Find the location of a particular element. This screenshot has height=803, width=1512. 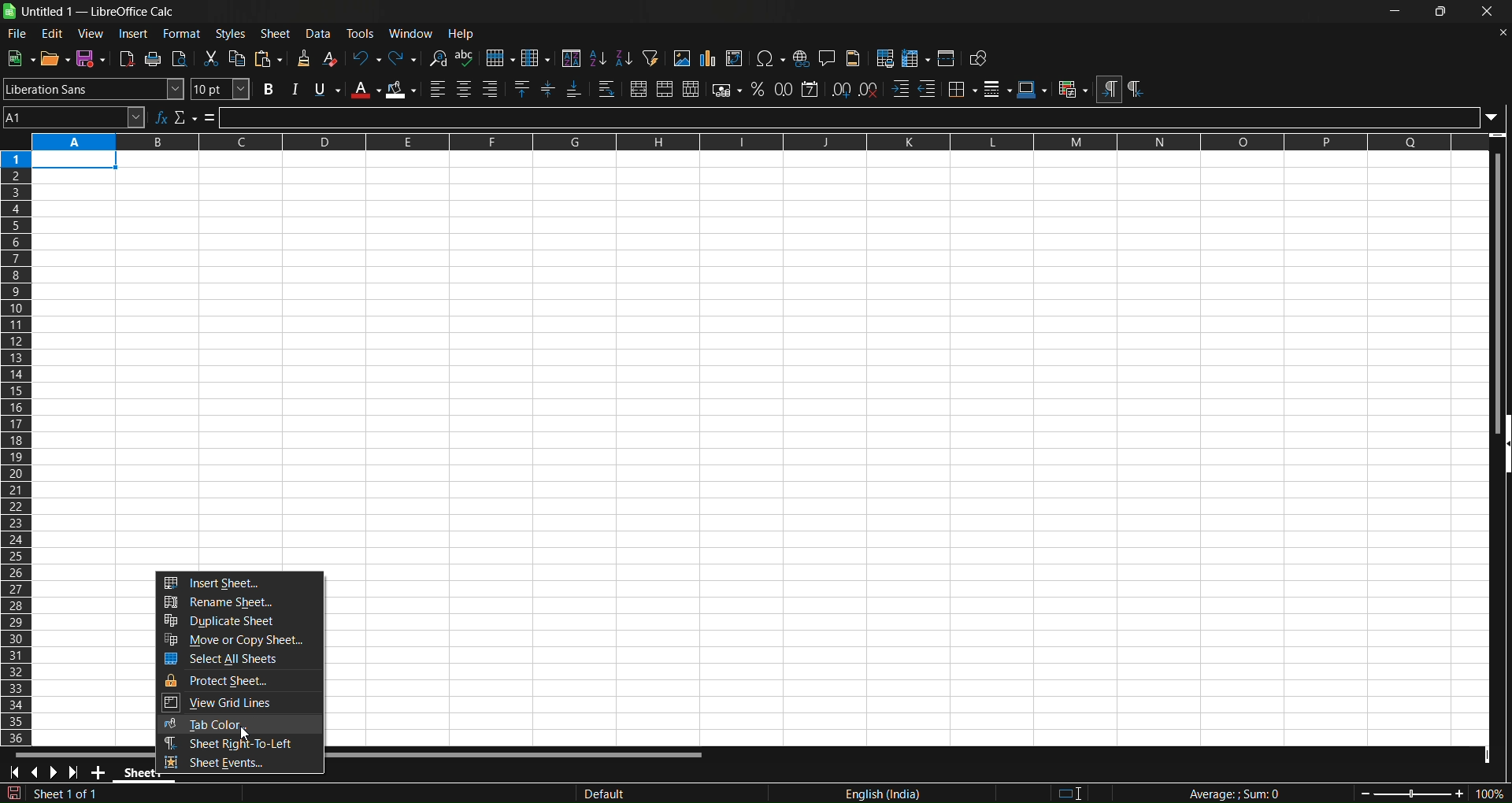

formula is located at coordinates (210, 118).